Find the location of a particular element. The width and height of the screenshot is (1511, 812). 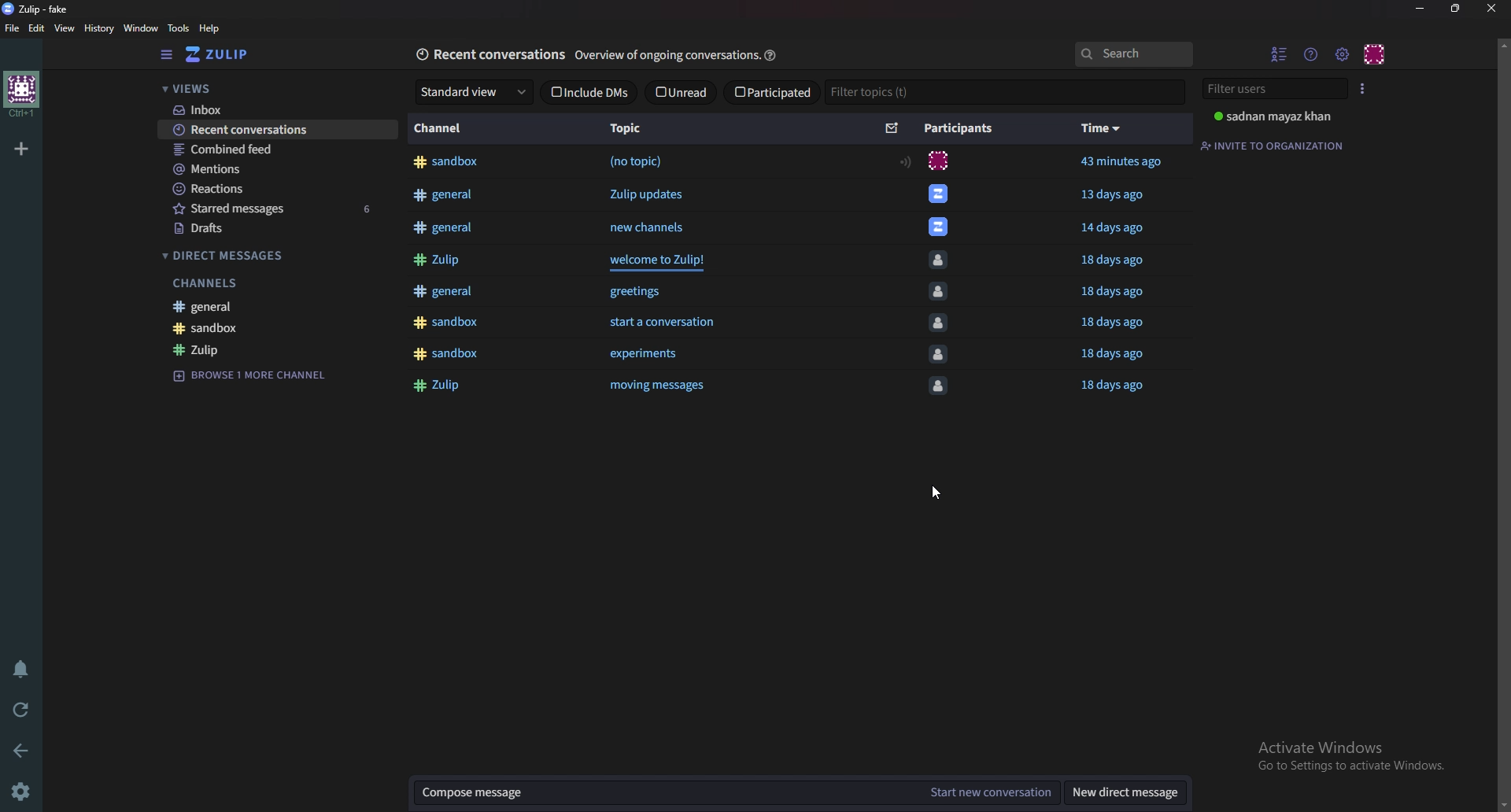

Recent conversations is located at coordinates (275, 132).